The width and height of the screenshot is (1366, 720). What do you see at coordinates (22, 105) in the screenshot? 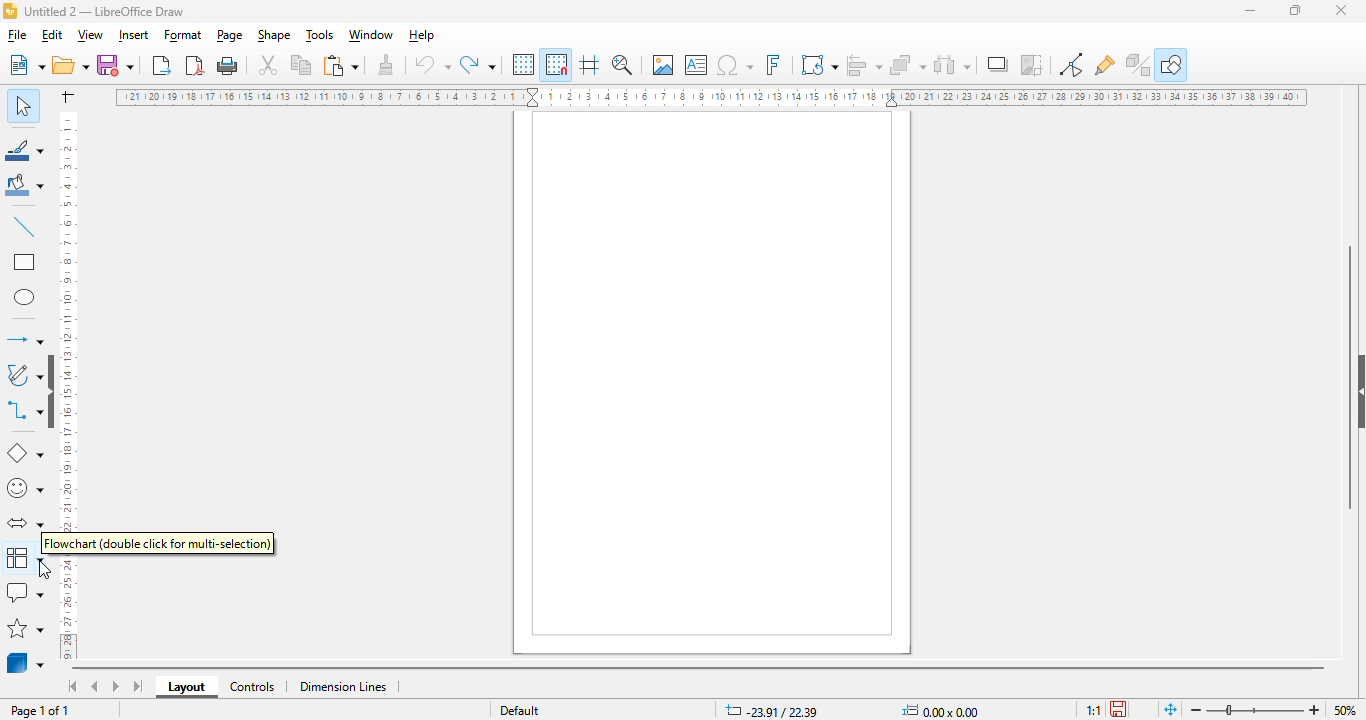
I see `select` at bounding box center [22, 105].